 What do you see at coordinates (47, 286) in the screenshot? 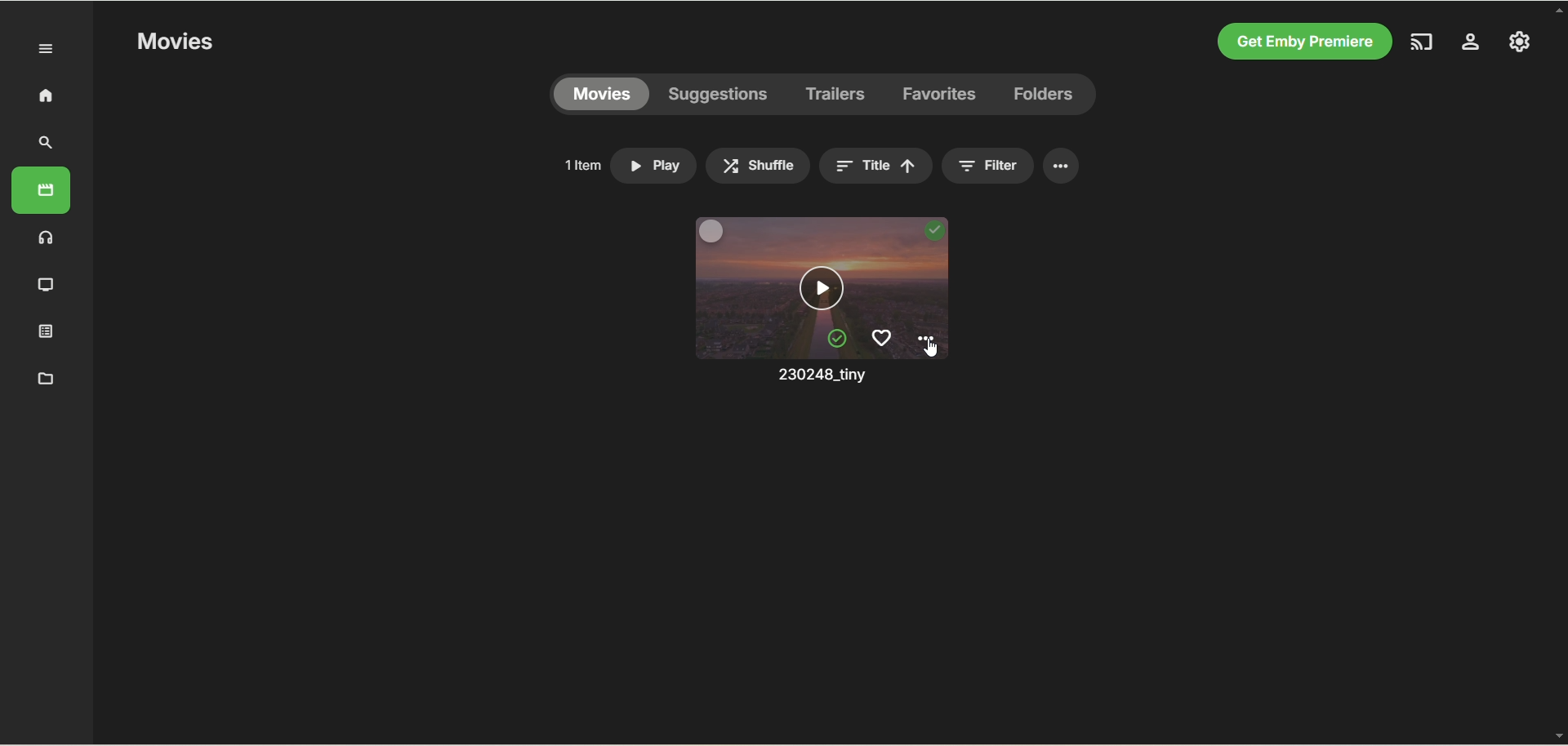
I see `TV shows` at bounding box center [47, 286].